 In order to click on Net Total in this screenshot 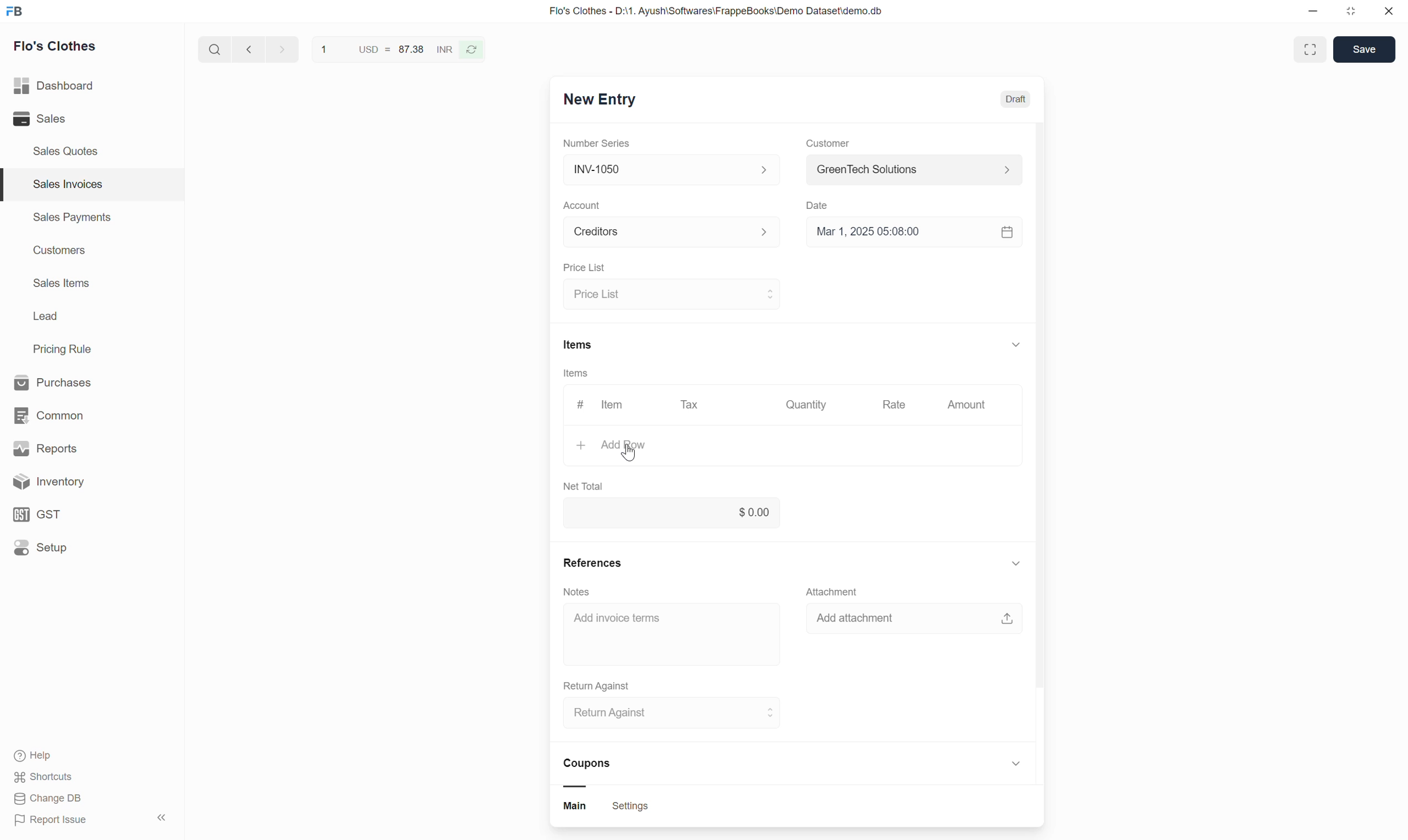, I will do `click(584, 485)`.